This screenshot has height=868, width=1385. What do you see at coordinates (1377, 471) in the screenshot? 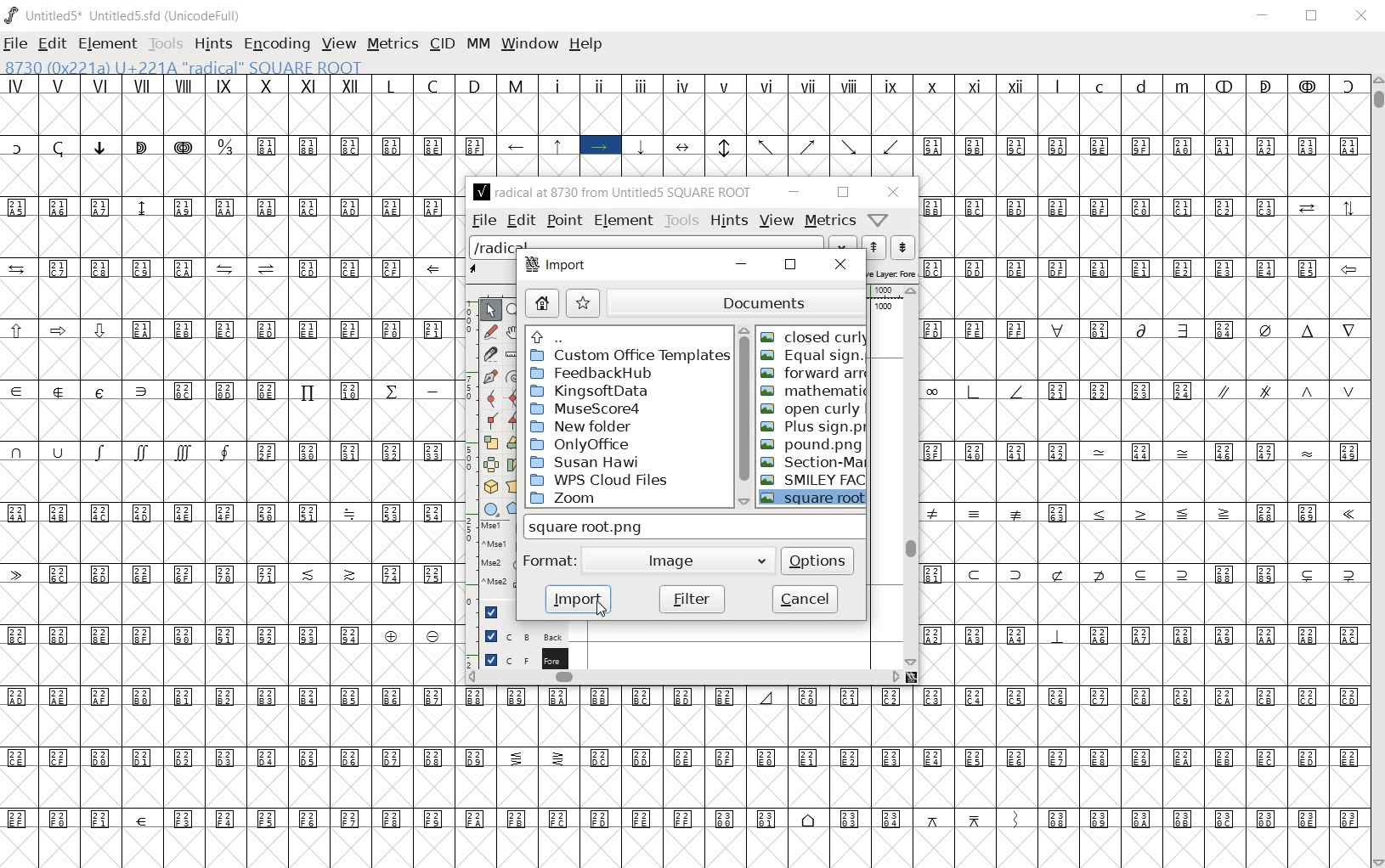
I see `SCROLLBAR` at bounding box center [1377, 471].